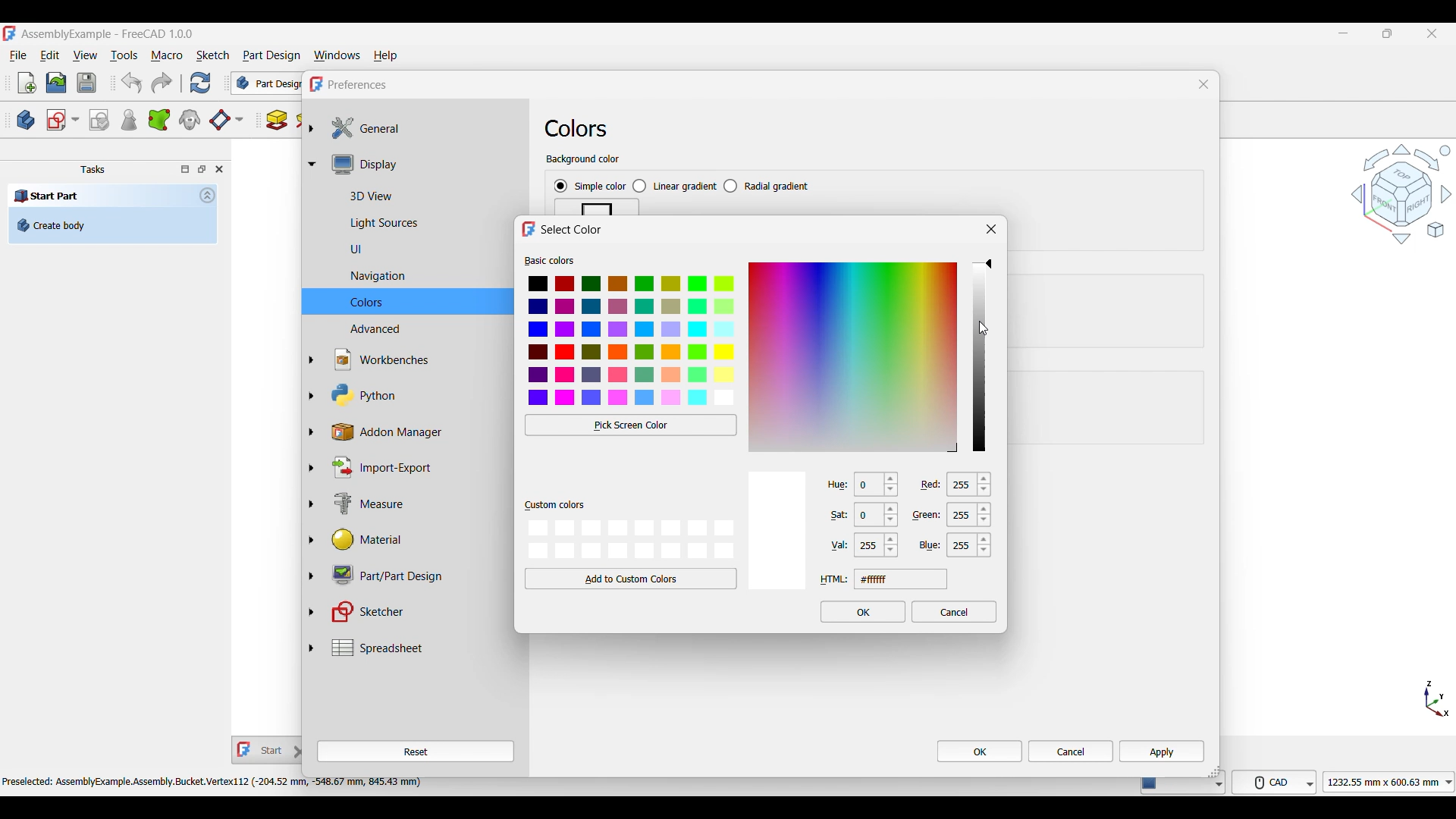 The height and width of the screenshot is (819, 1456). What do you see at coordinates (416, 328) in the screenshot?
I see `Advanced` at bounding box center [416, 328].